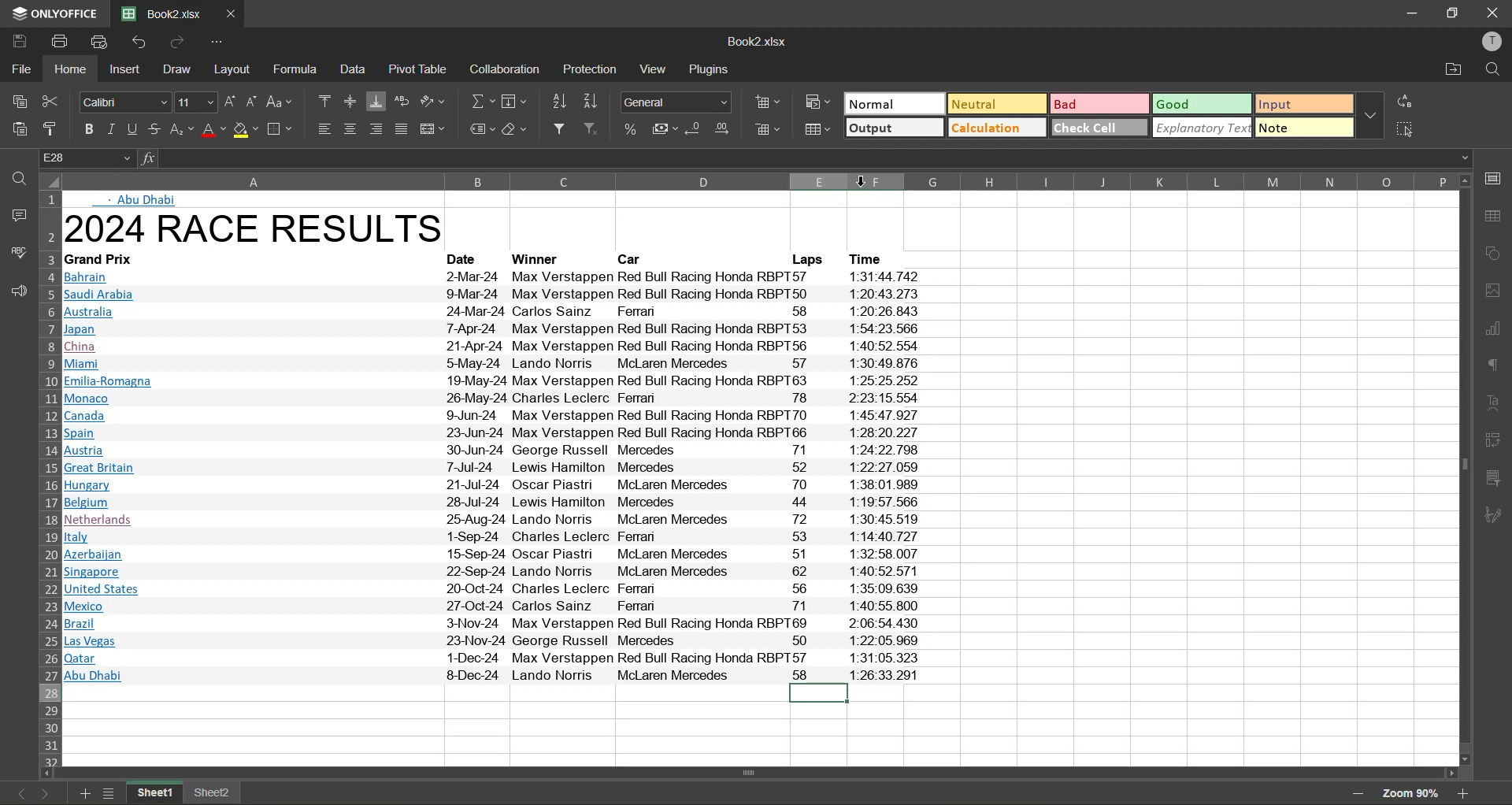  What do you see at coordinates (1408, 103) in the screenshot?
I see `replace` at bounding box center [1408, 103].